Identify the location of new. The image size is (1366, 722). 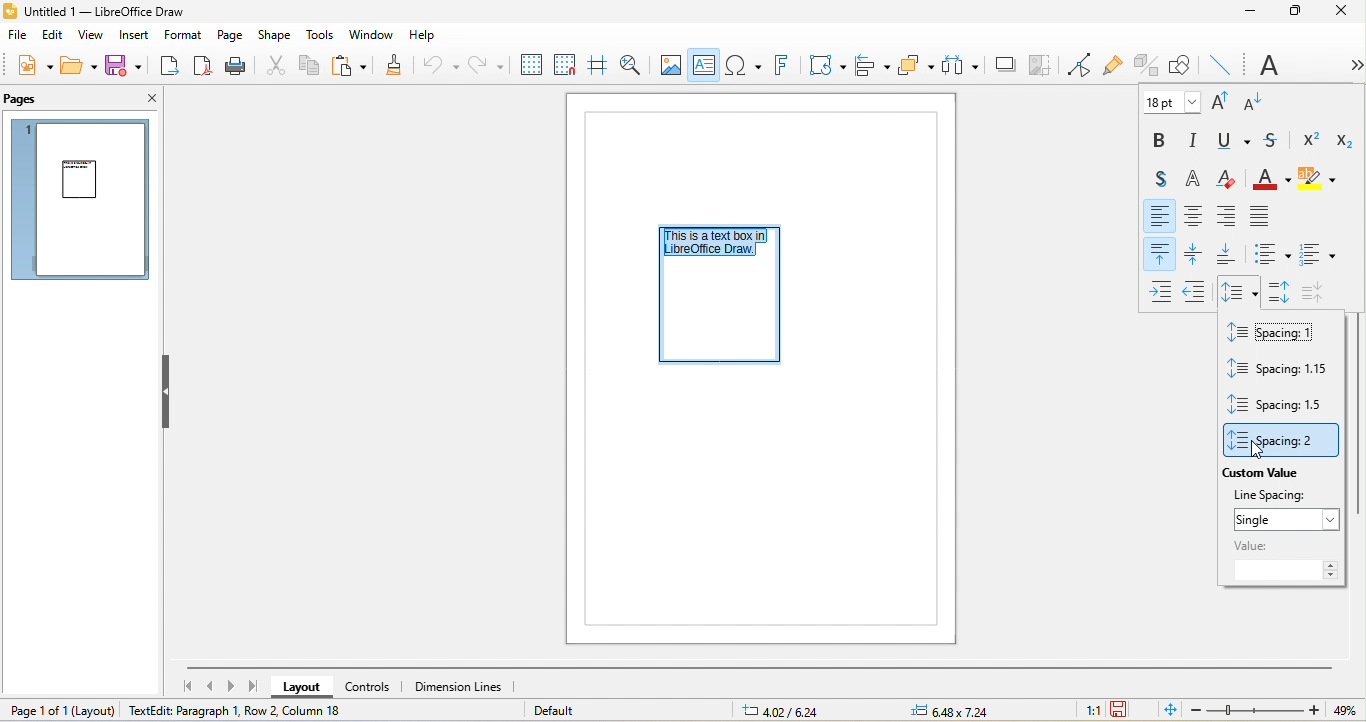
(29, 65).